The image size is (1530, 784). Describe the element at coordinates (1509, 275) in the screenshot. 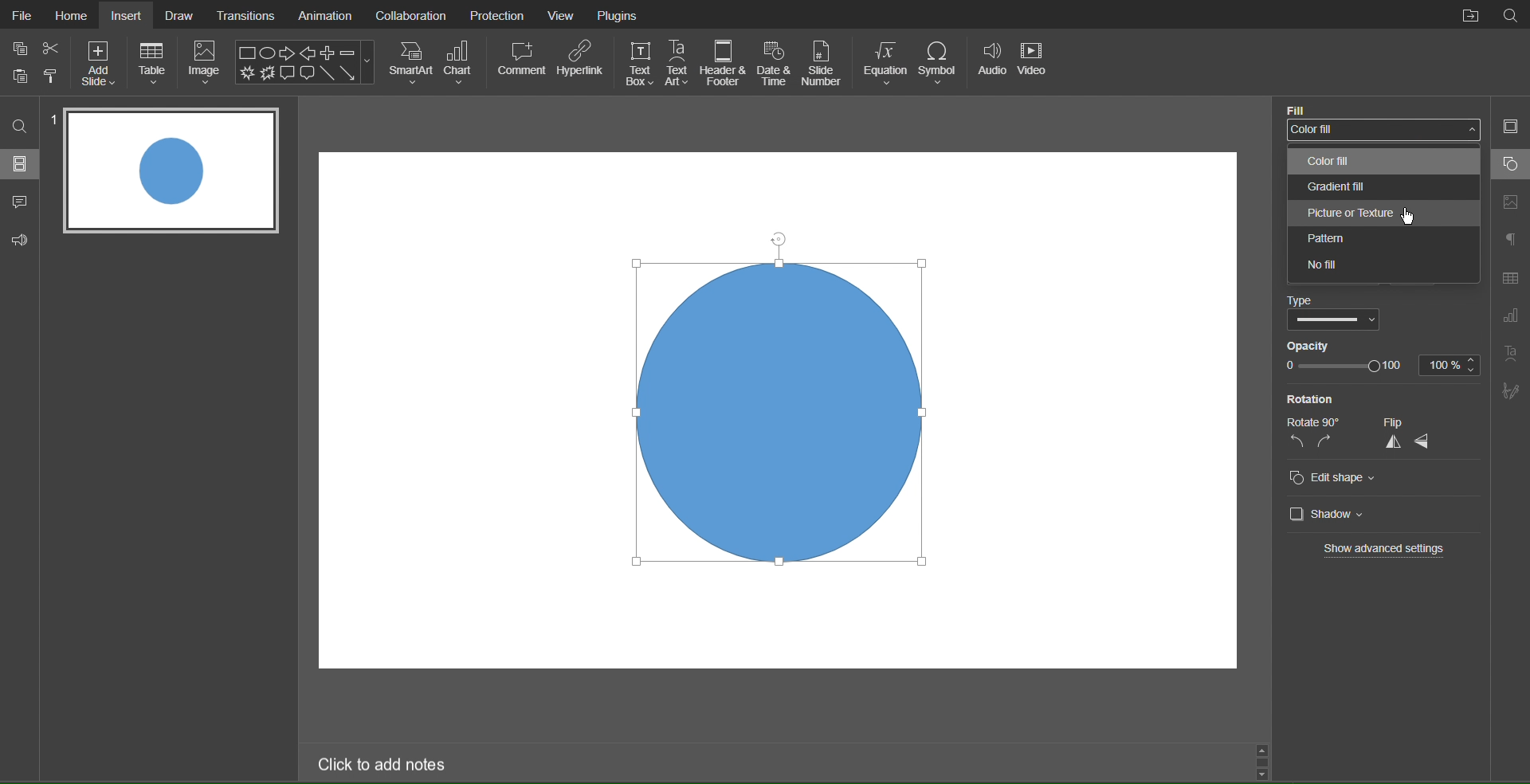

I see `Table Settings` at that location.